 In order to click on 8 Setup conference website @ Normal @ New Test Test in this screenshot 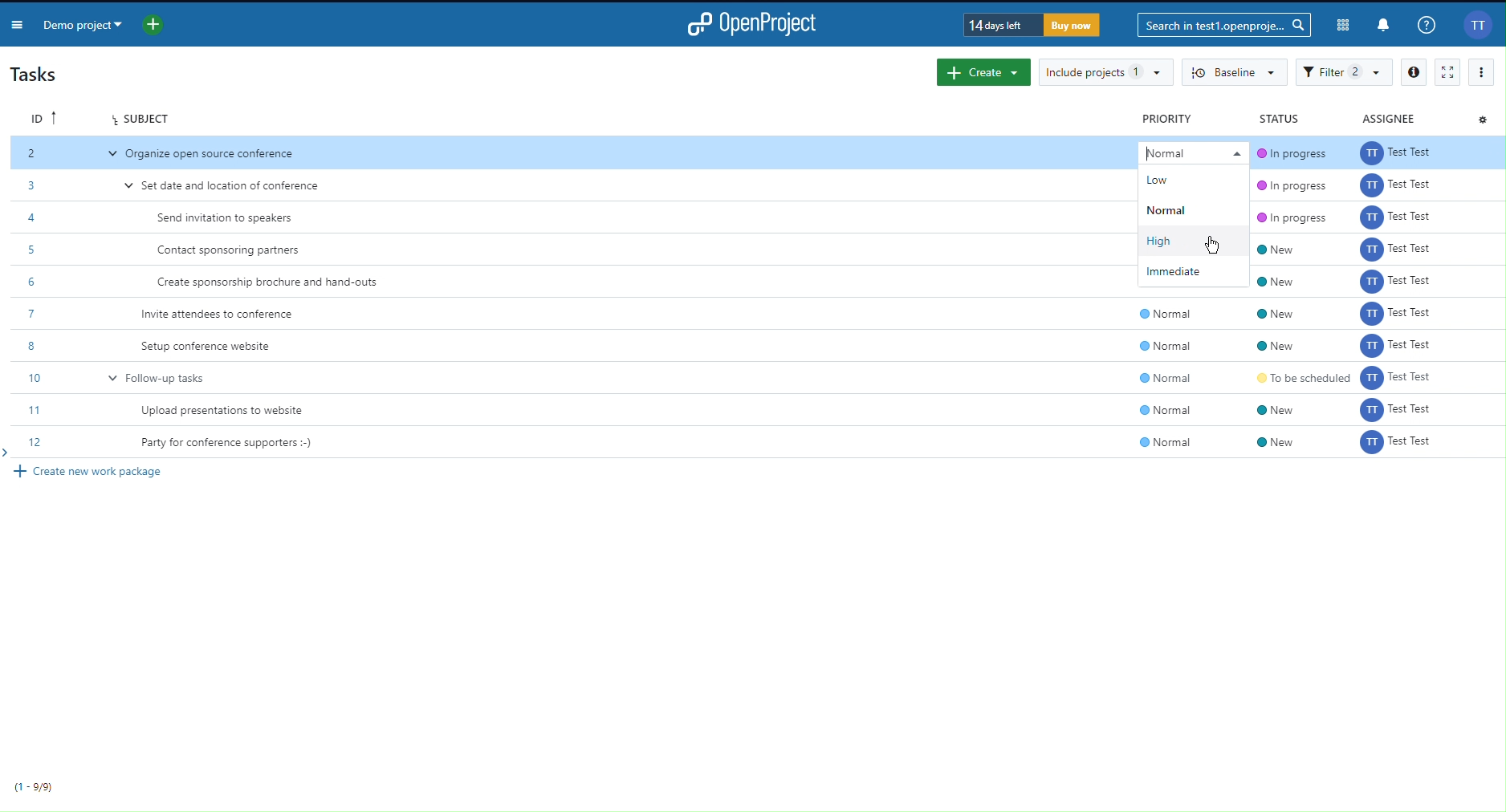, I will do `click(759, 345)`.